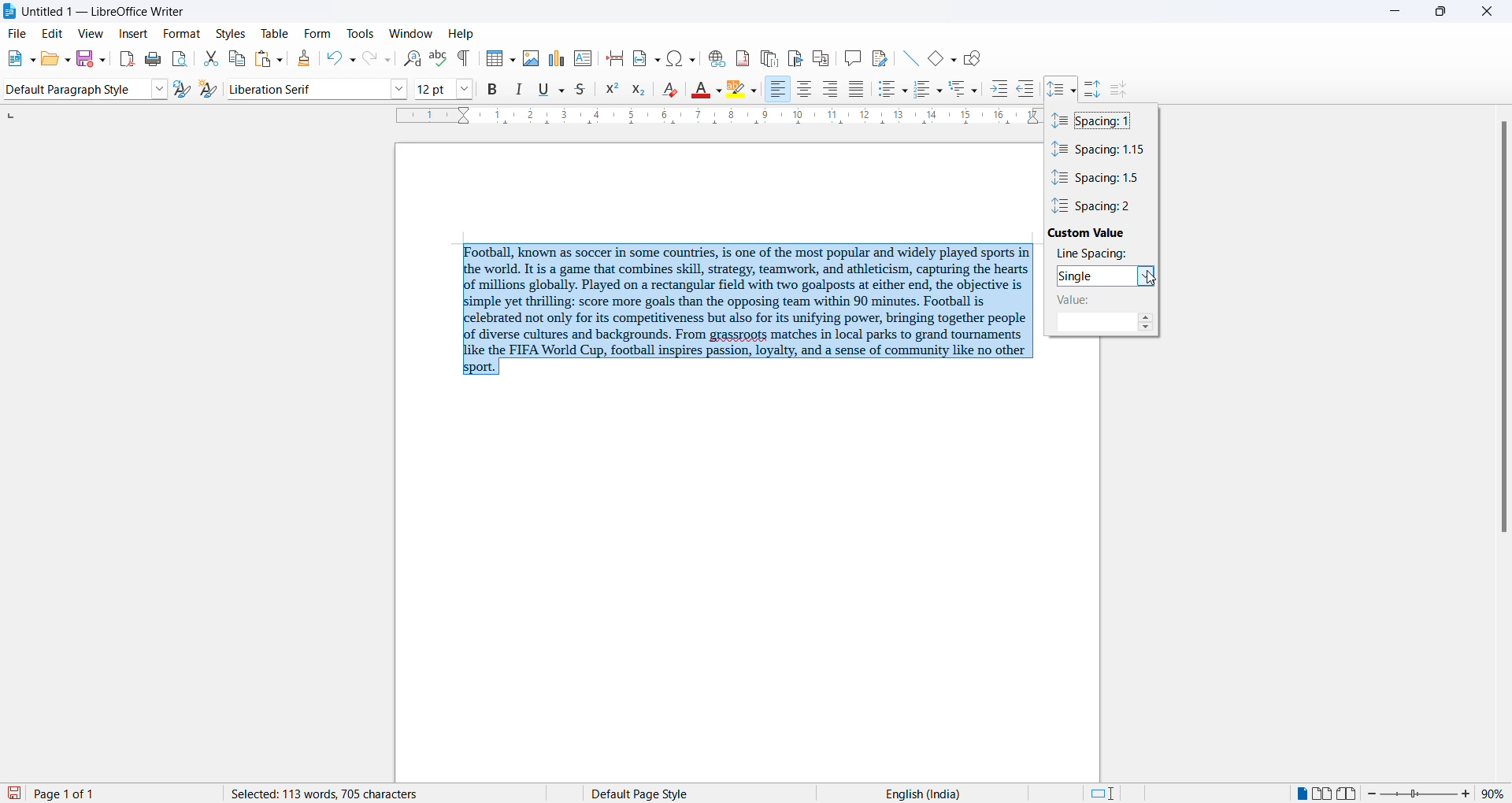 The height and width of the screenshot is (803, 1512). I want to click on paragraph style, so click(79, 88).